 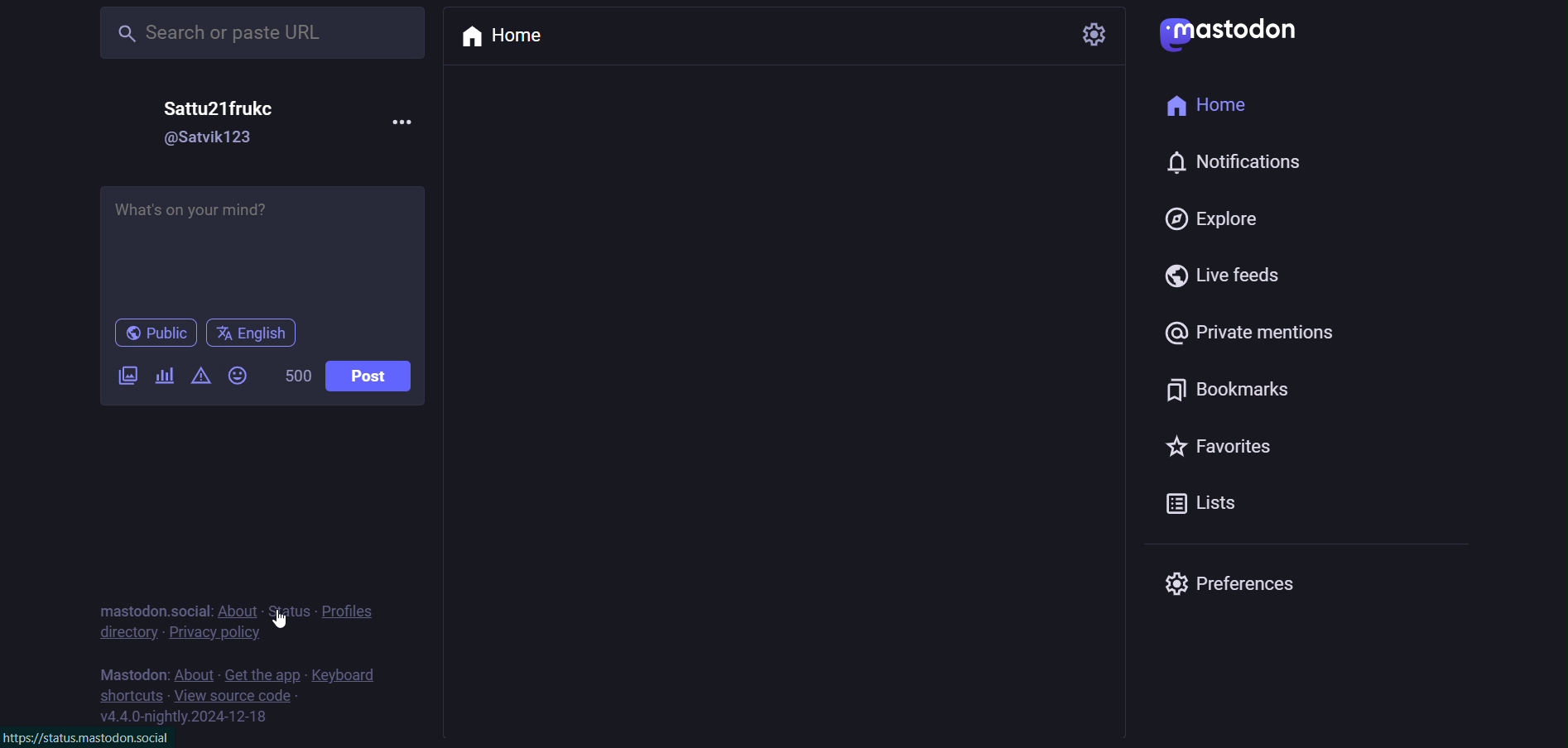 I want to click on emoji, so click(x=235, y=375).